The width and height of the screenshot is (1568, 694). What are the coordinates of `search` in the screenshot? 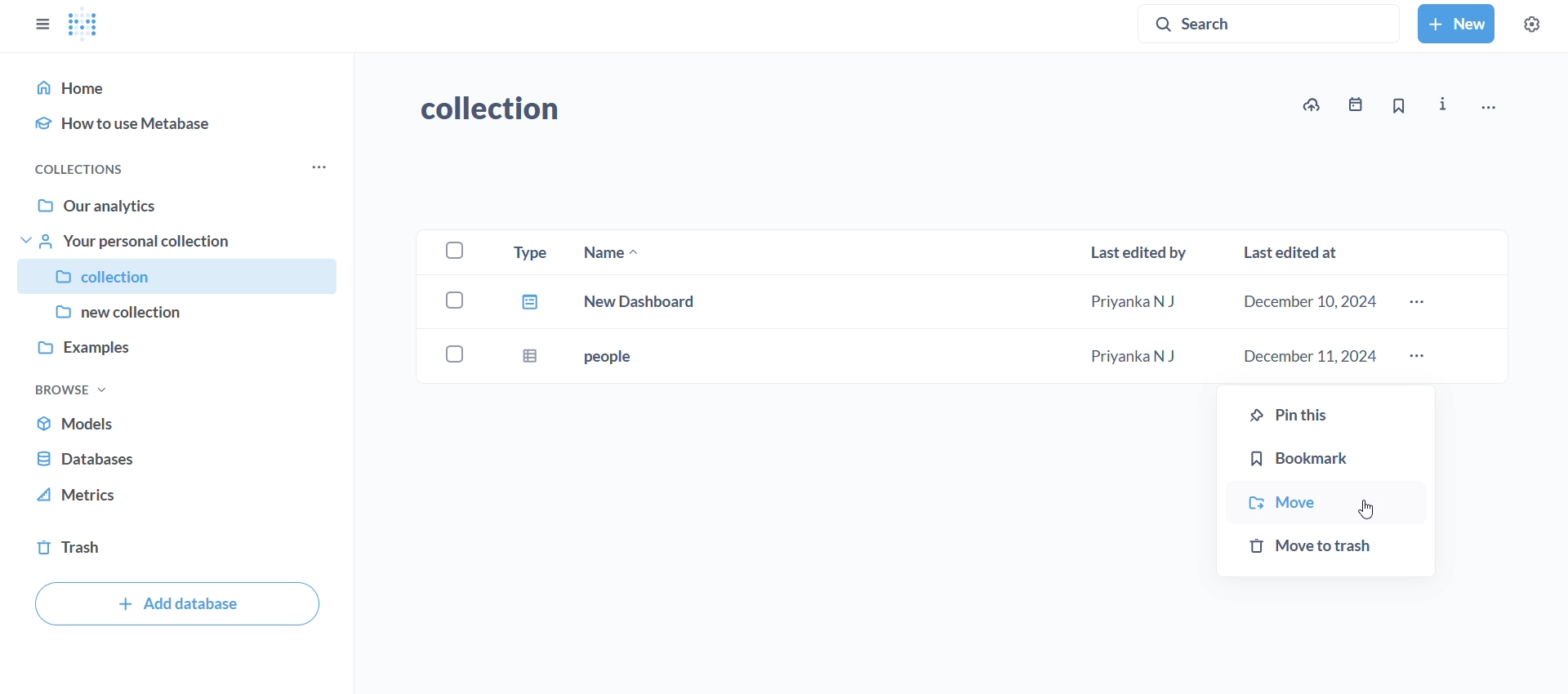 It's located at (1272, 22).